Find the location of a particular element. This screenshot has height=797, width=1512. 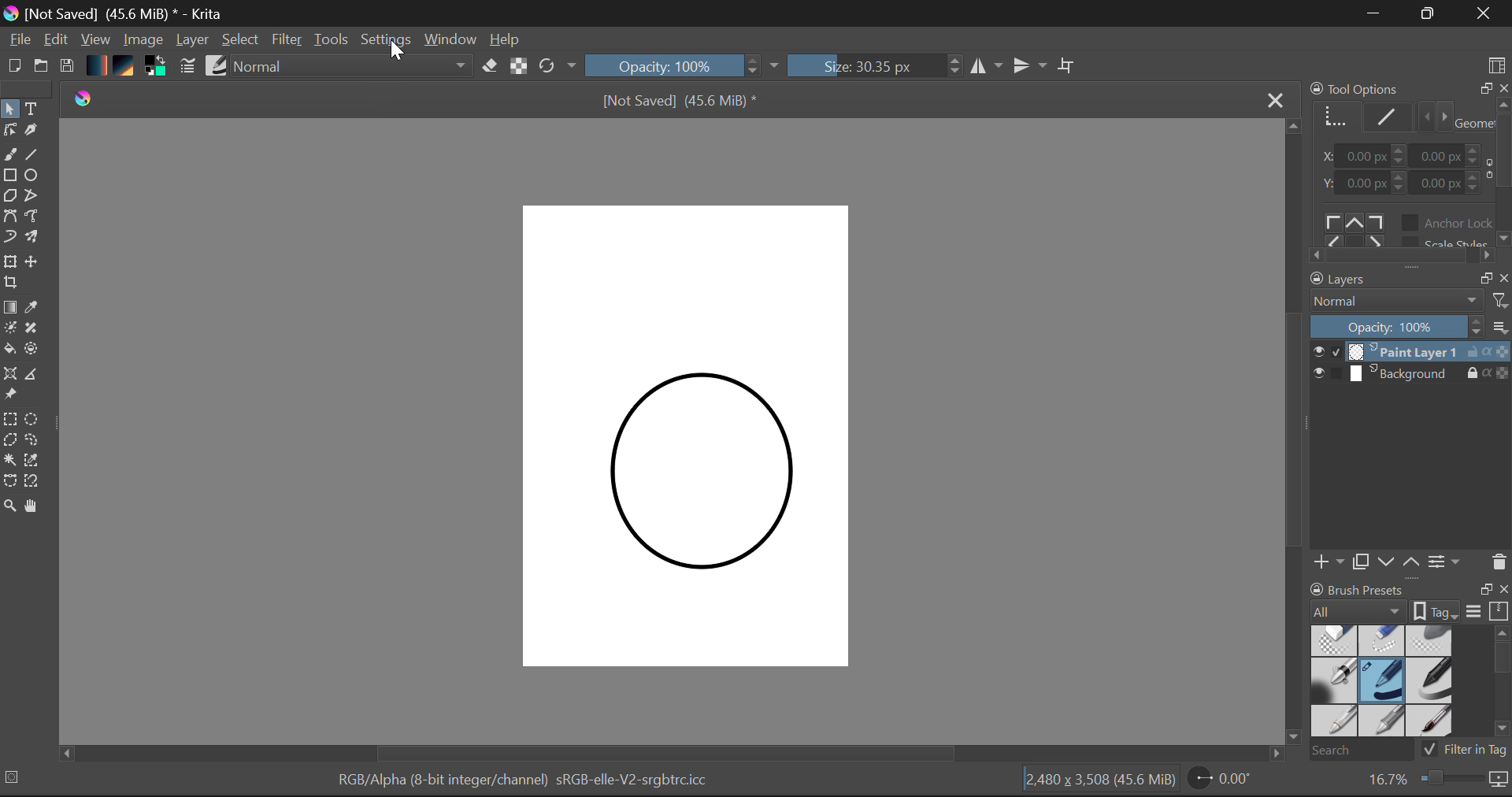

Eraser is located at coordinates (491, 67).